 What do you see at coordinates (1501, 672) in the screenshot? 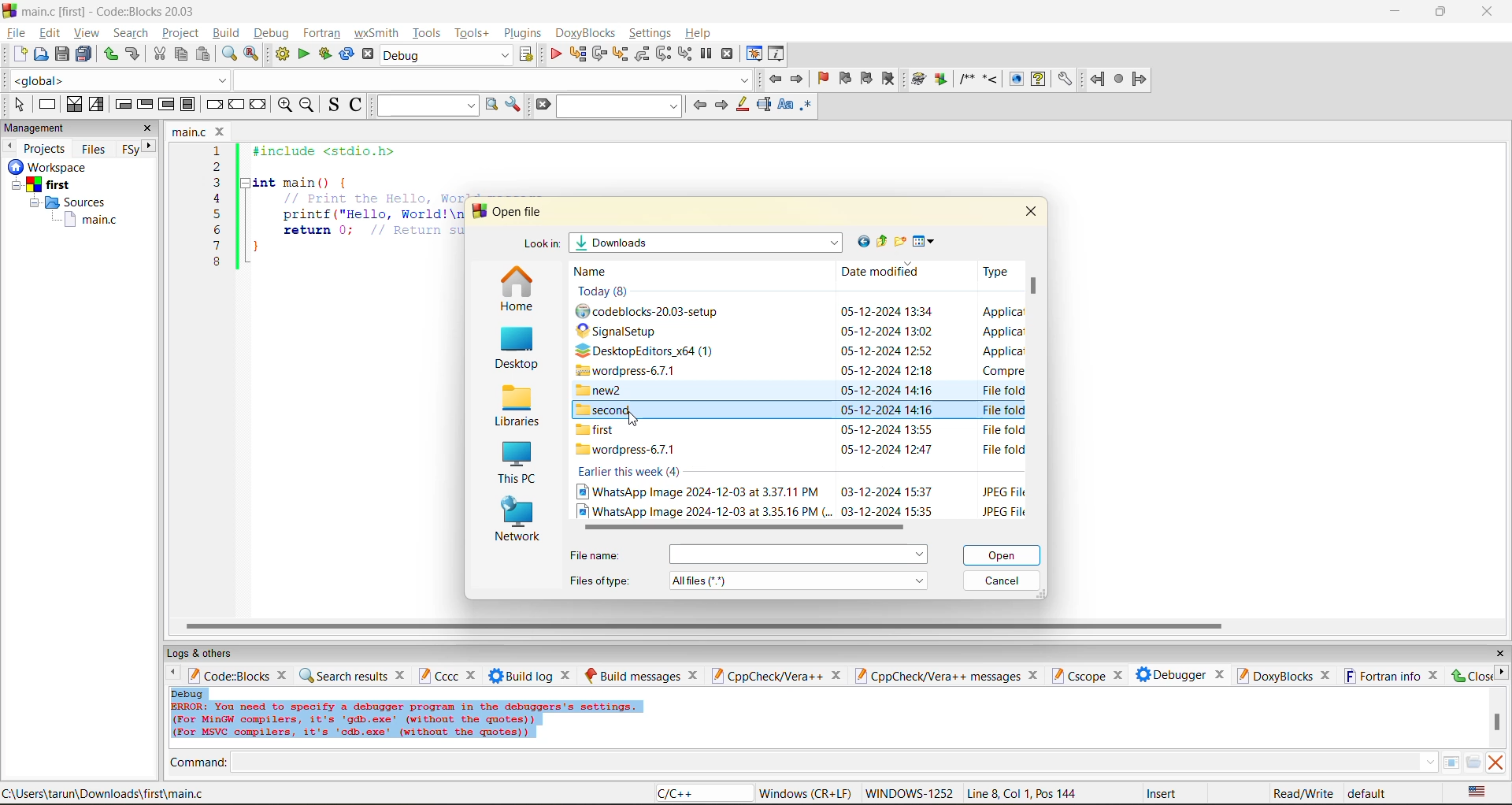
I see `next` at bounding box center [1501, 672].